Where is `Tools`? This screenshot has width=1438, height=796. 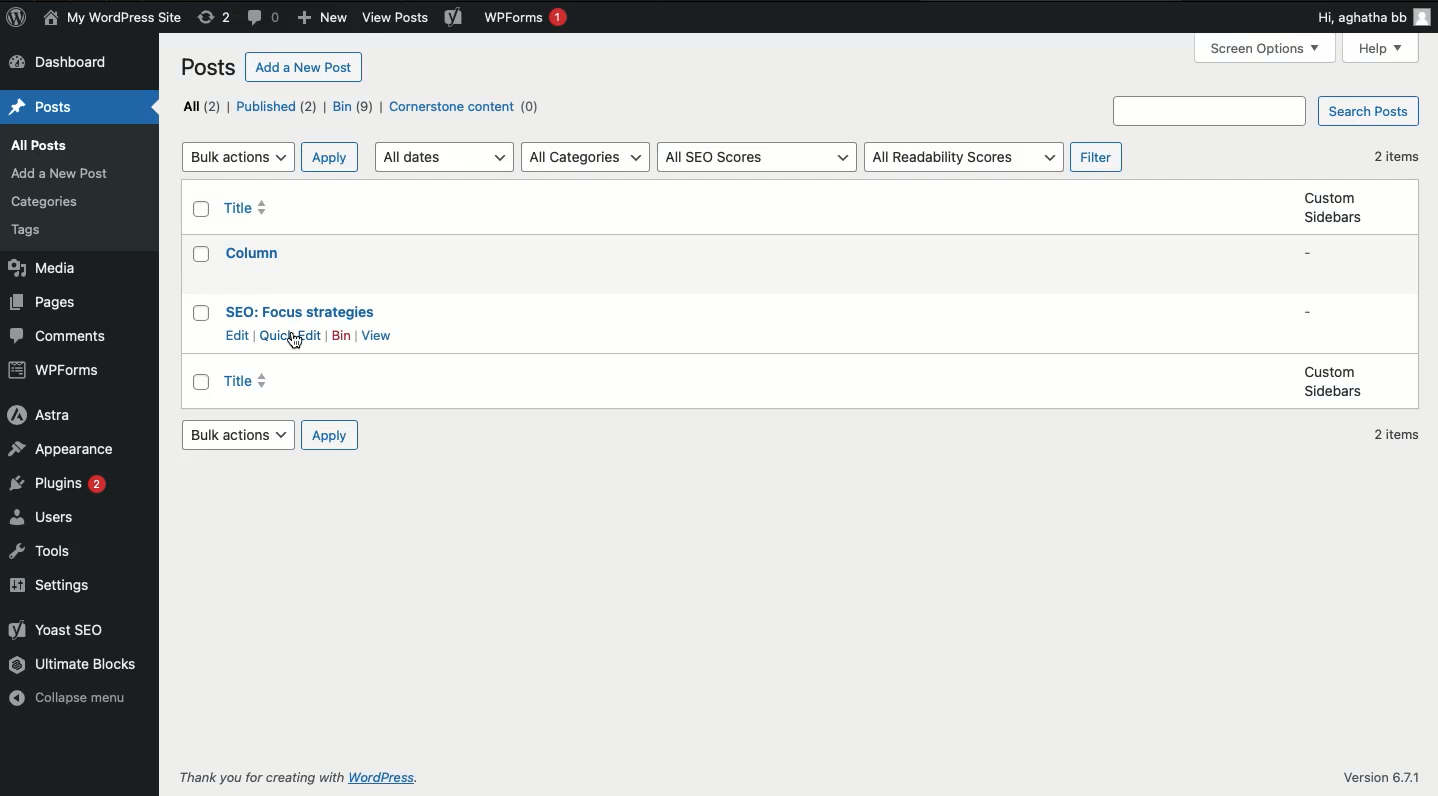
Tools is located at coordinates (46, 553).